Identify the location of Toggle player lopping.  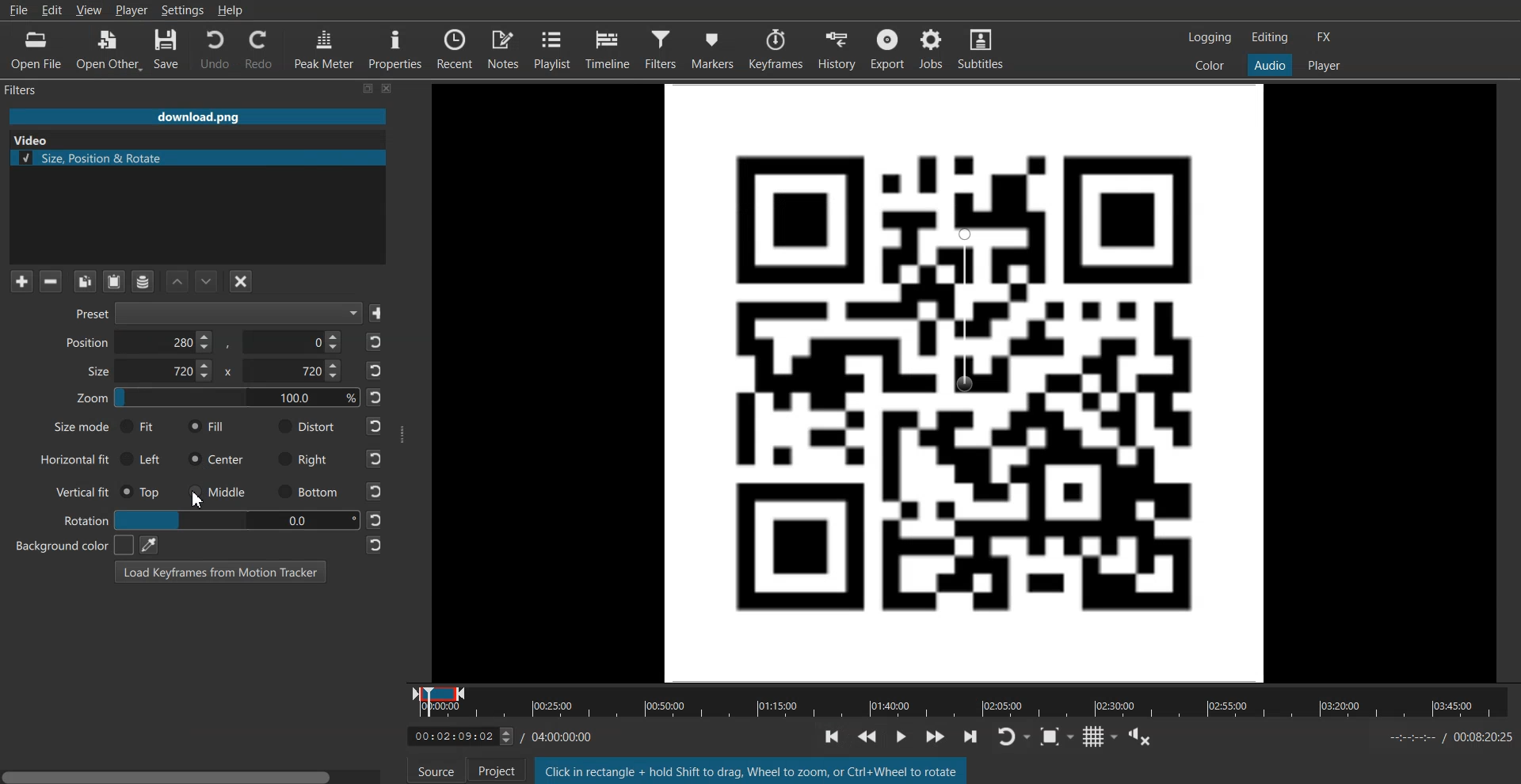
(1018, 738).